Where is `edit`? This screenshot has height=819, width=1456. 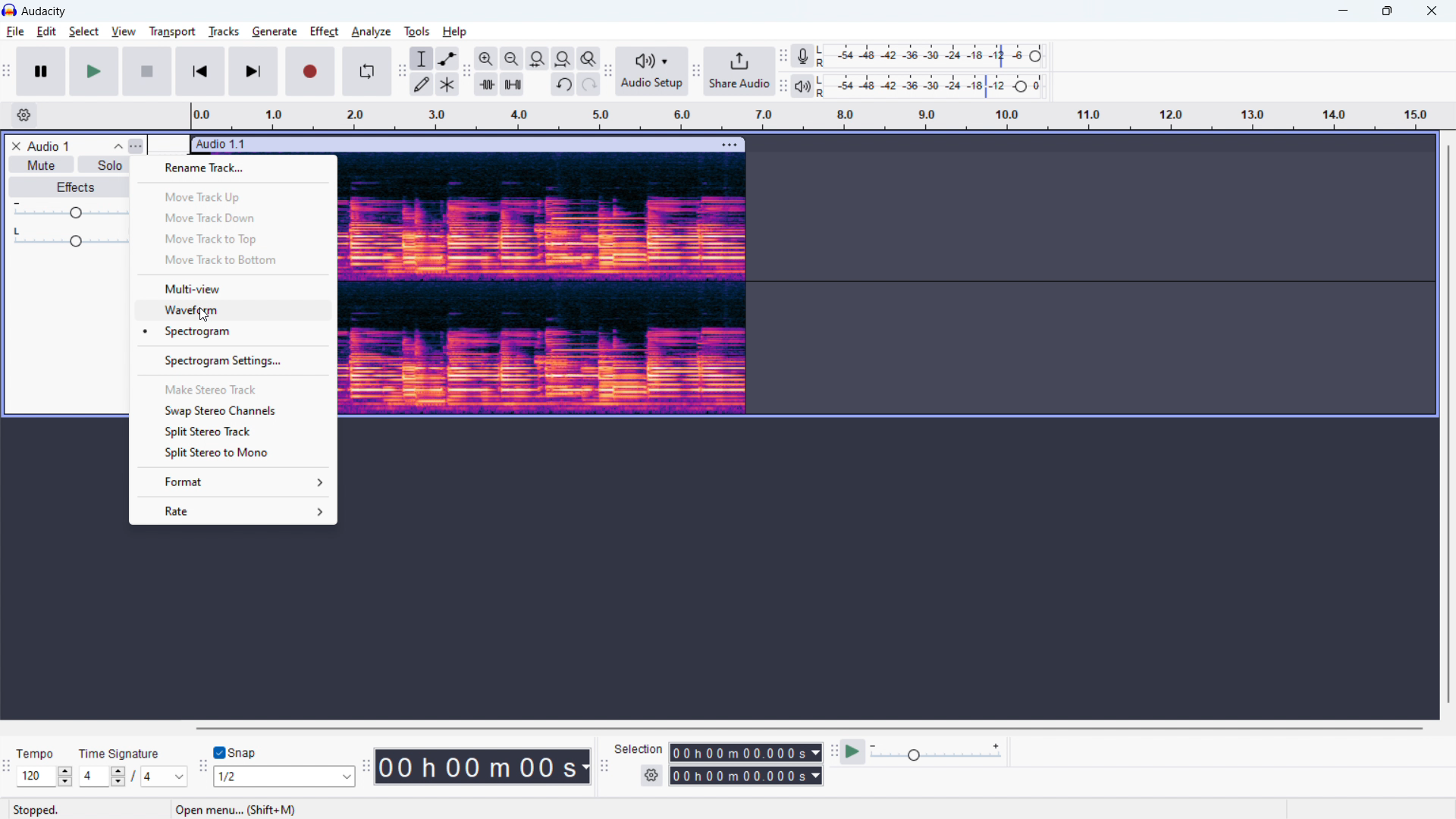
edit is located at coordinates (48, 32).